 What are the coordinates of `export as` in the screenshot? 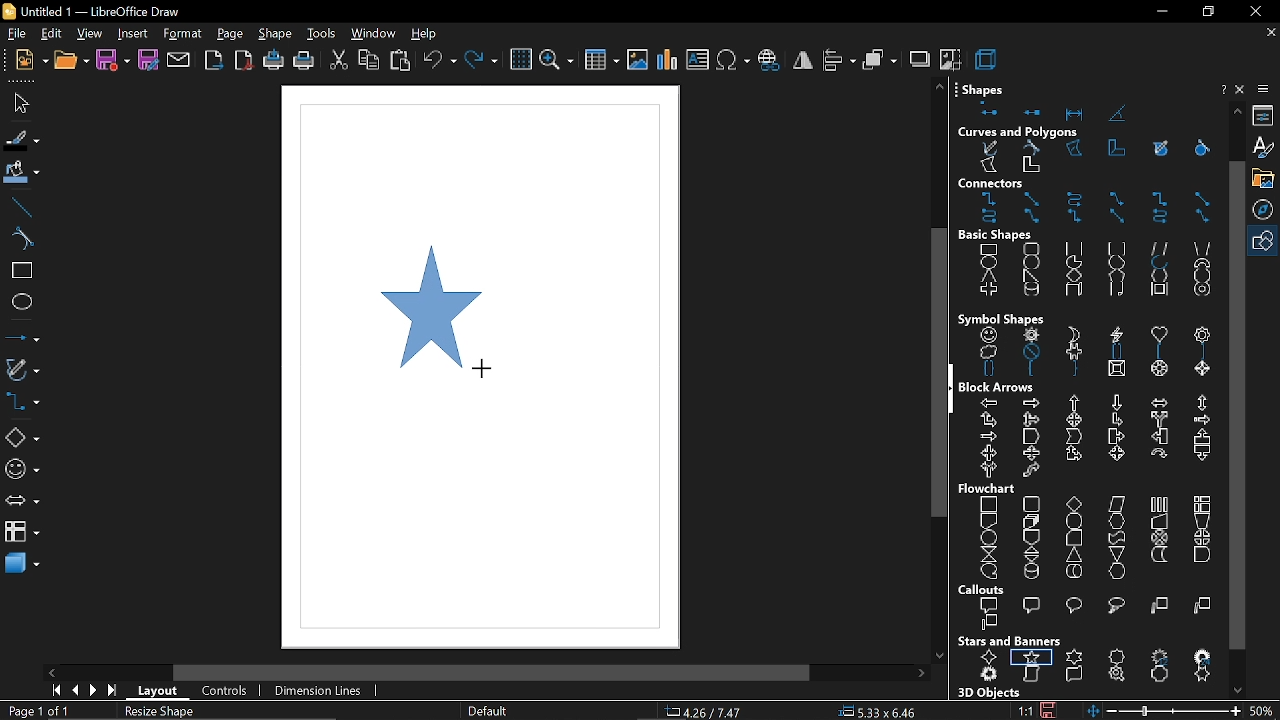 It's located at (242, 61).